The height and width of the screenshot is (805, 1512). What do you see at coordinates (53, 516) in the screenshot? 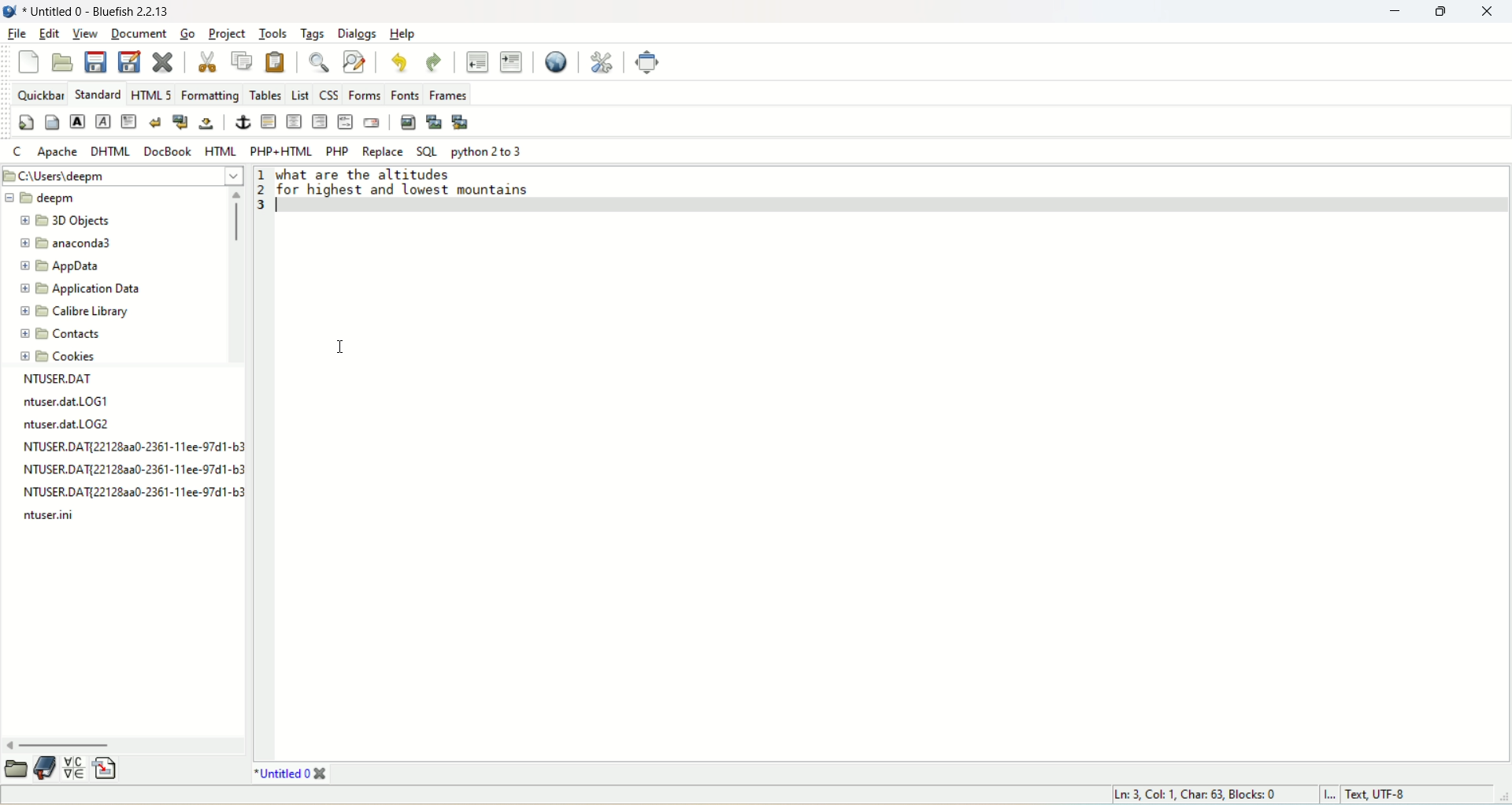
I see `ntuser.ini.` at bounding box center [53, 516].